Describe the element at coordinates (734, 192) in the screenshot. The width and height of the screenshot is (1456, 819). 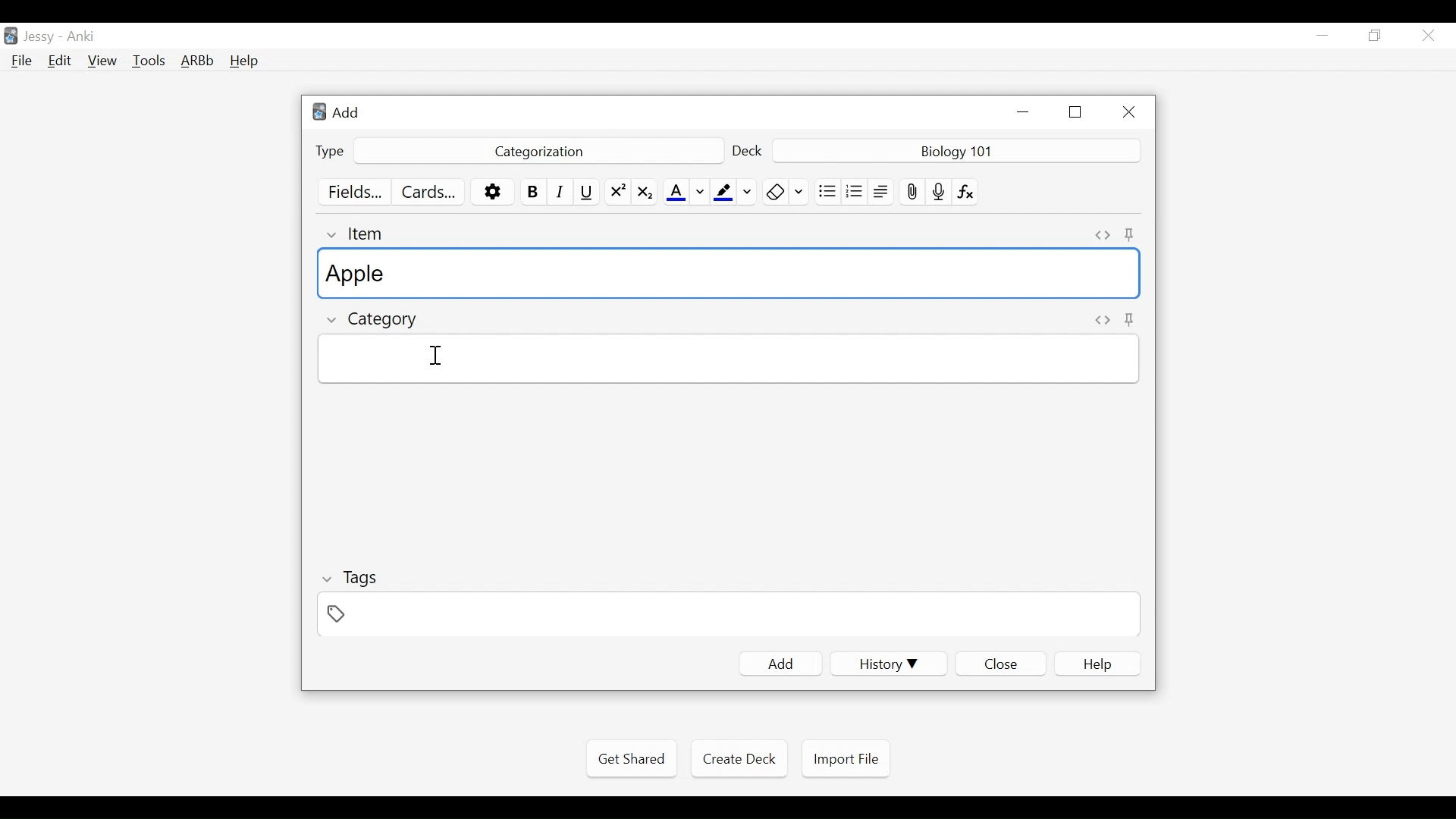
I see `Text Highlighting color` at that location.